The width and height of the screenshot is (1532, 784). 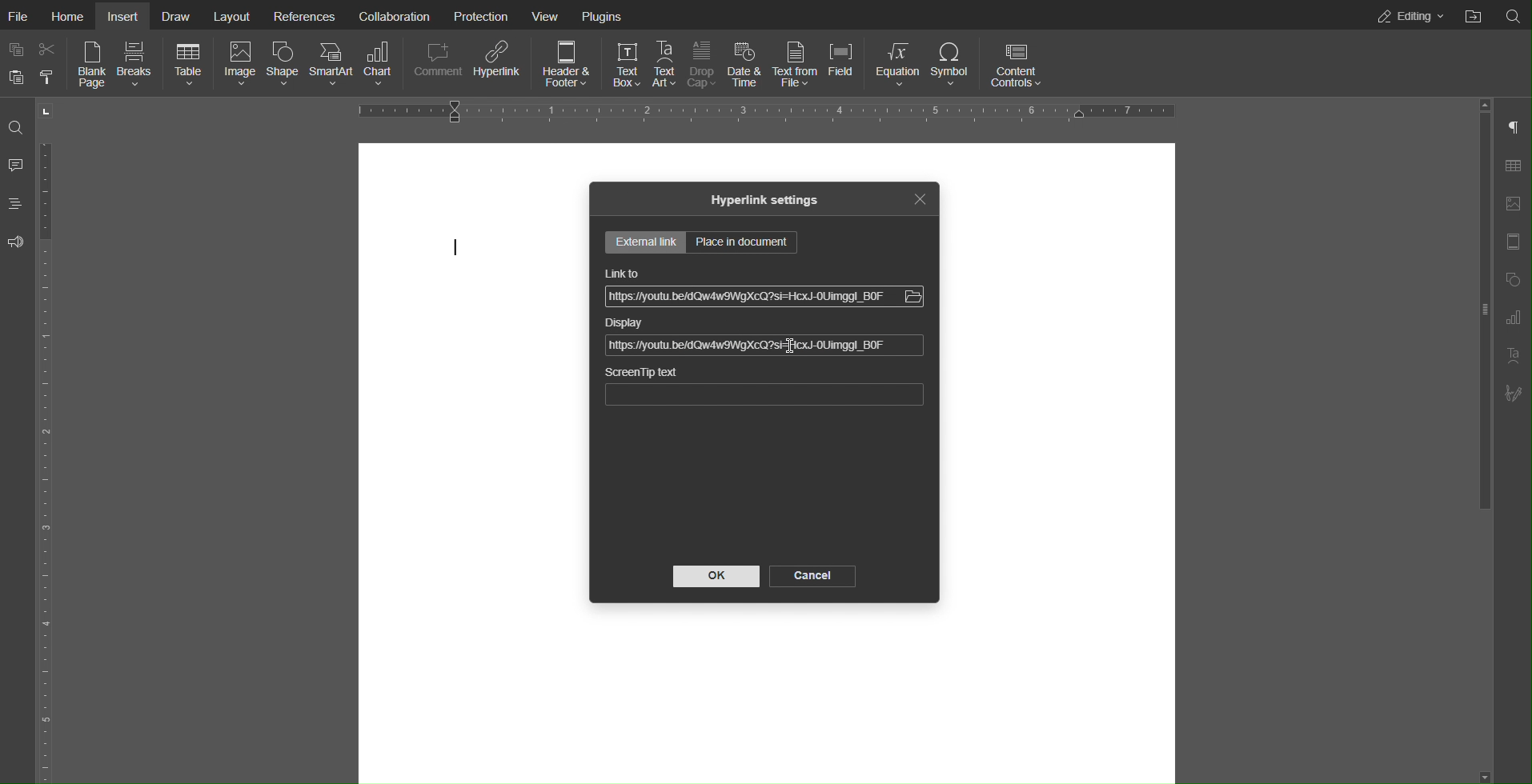 What do you see at coordinates (565, 63) in the screenshot?
I see `Header & Footer` at bounding box center [565, 63].